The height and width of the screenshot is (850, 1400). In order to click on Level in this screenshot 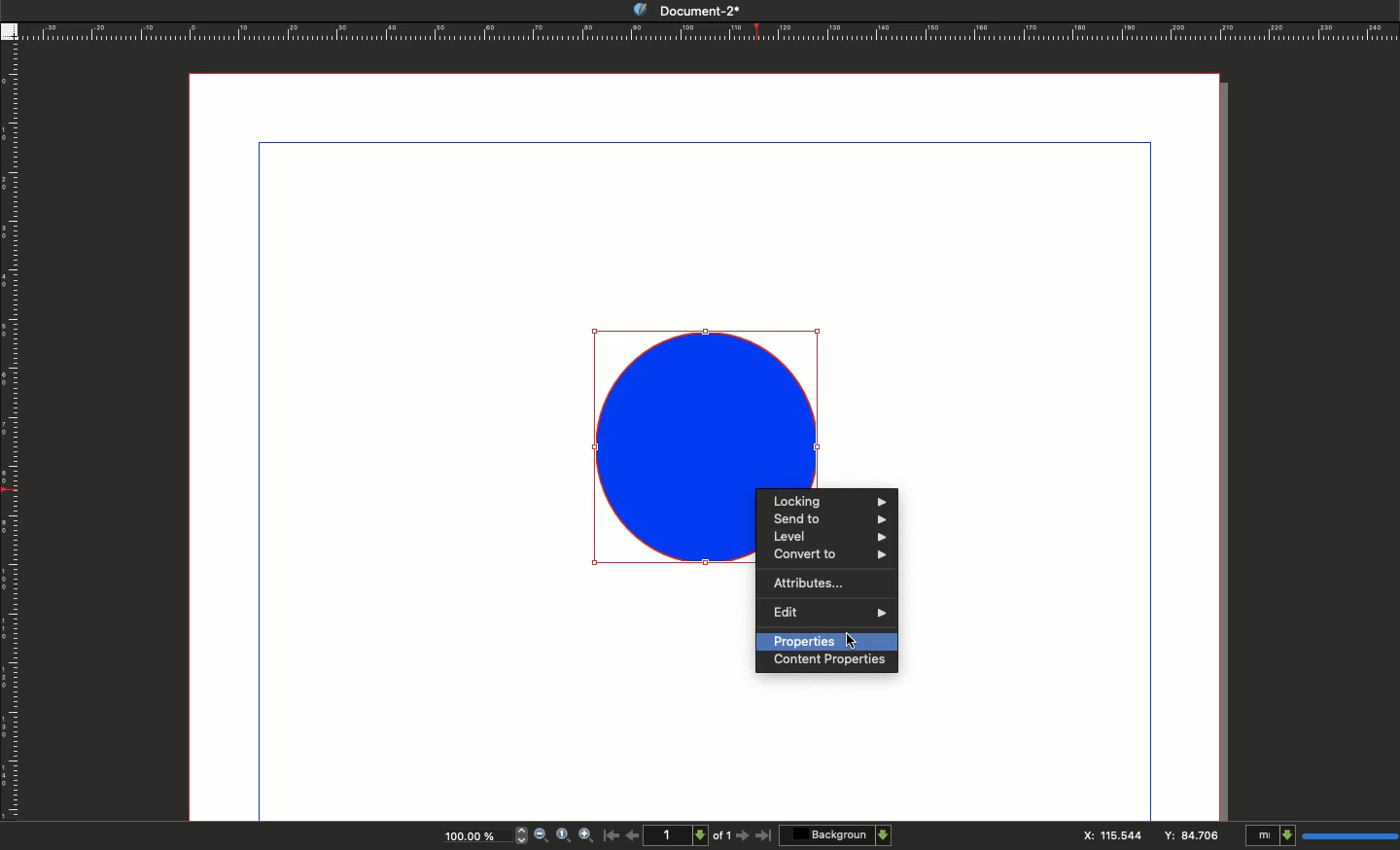, I will do `click(827, 535)`.